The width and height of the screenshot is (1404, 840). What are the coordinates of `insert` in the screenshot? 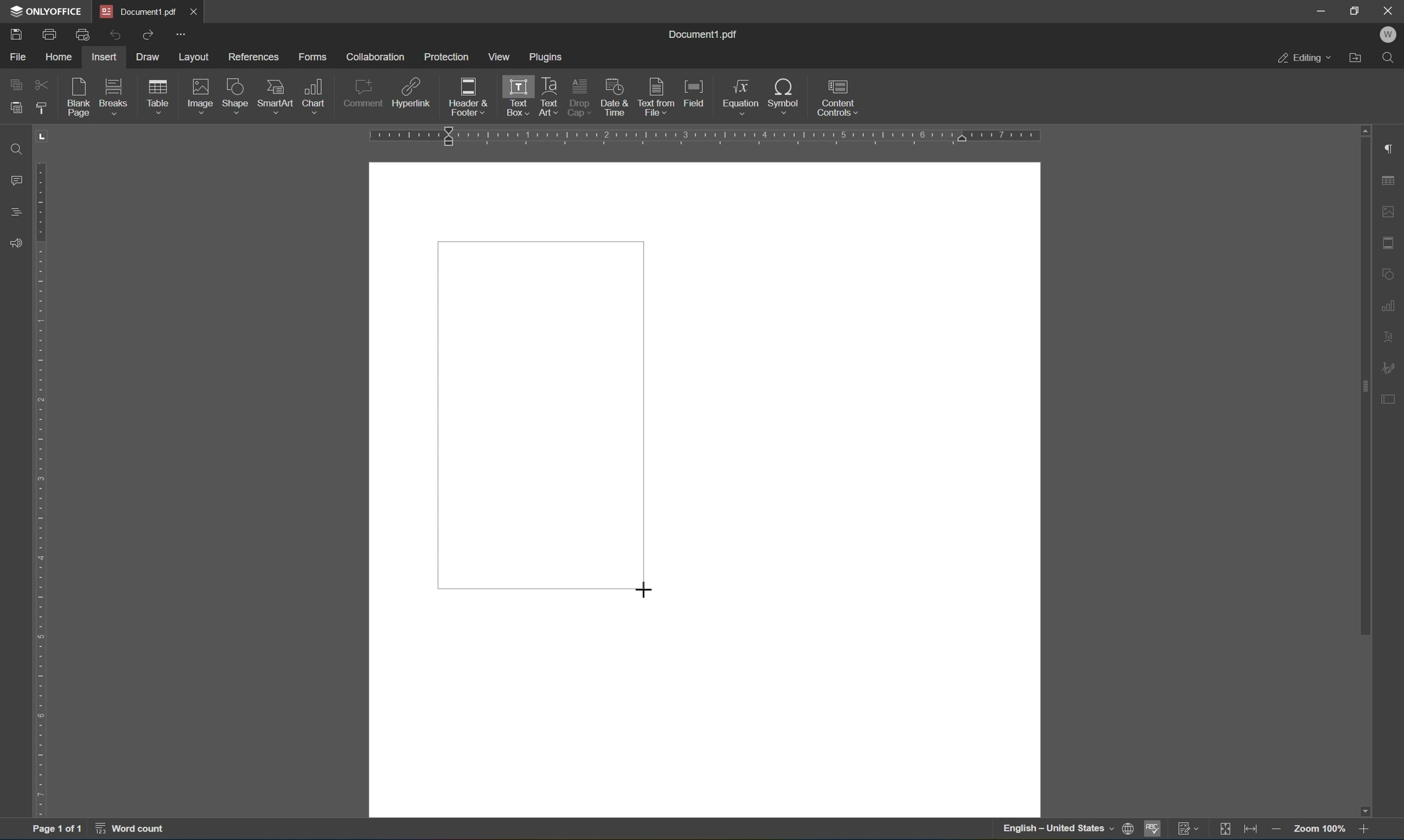 It's located at (103, 57).